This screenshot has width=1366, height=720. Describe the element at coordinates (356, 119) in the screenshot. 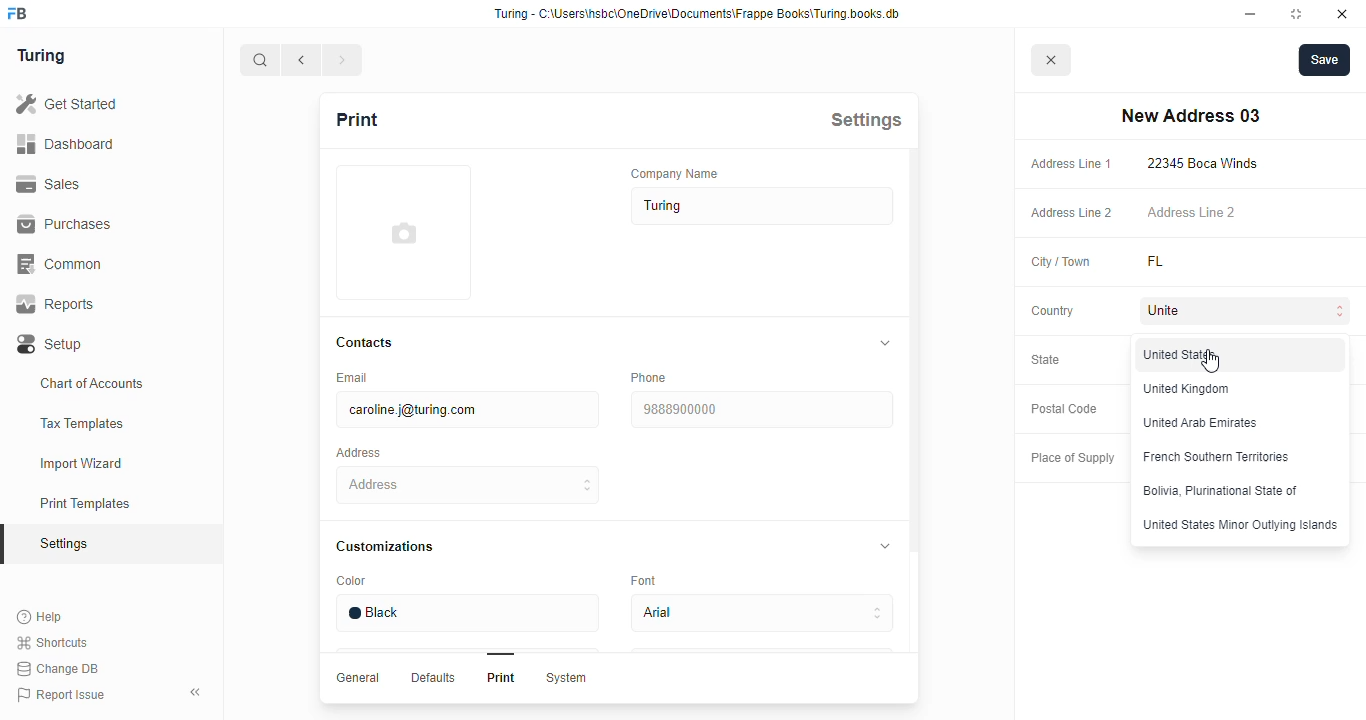

I see `print` at that location.